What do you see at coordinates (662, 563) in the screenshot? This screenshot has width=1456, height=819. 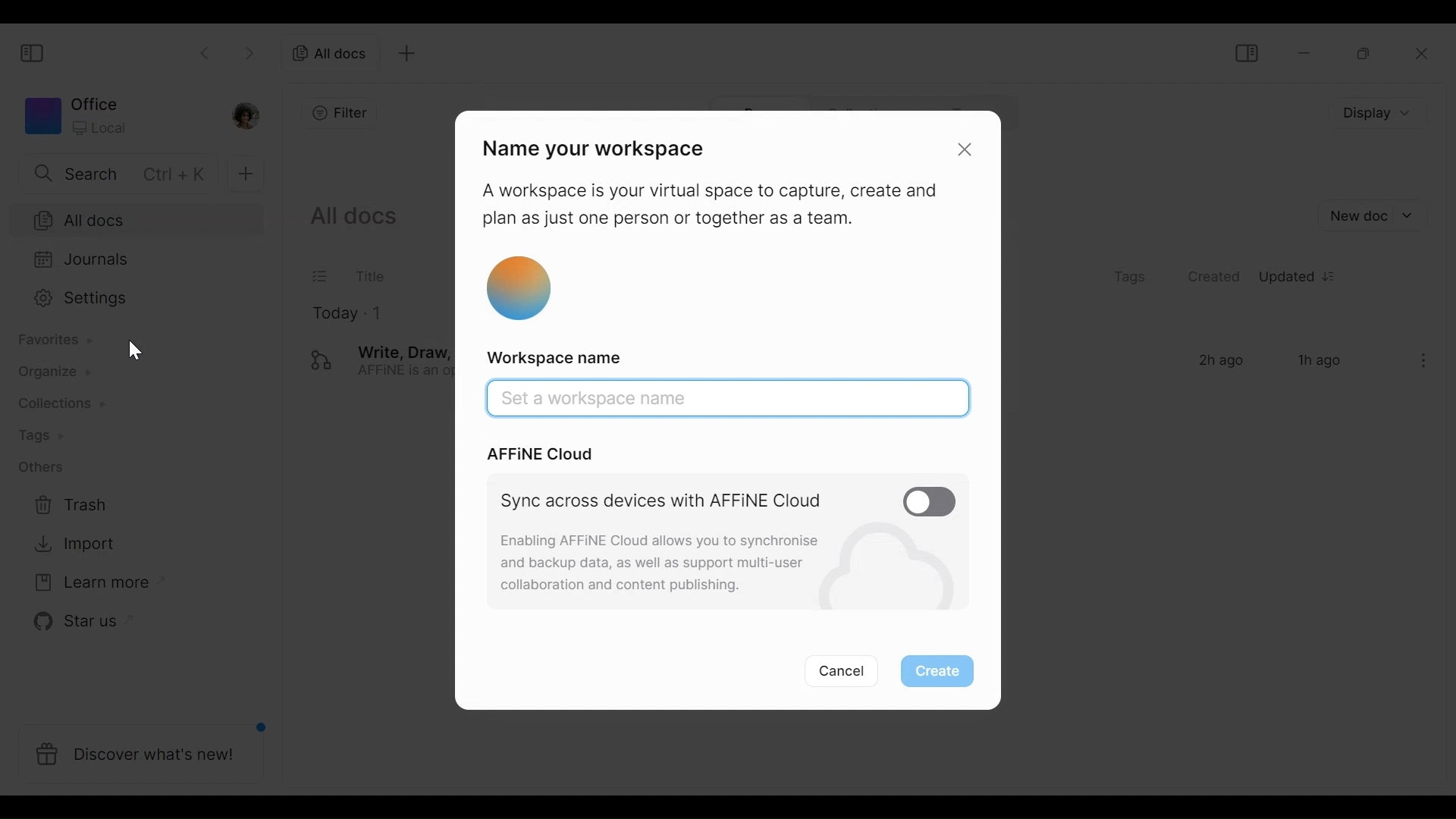 I see `Enabling AFFINE Cloud allows you to synchronise
and backup data, as well as support multi-user
collaboration and content publishing.` at bounding box center [662, 563].